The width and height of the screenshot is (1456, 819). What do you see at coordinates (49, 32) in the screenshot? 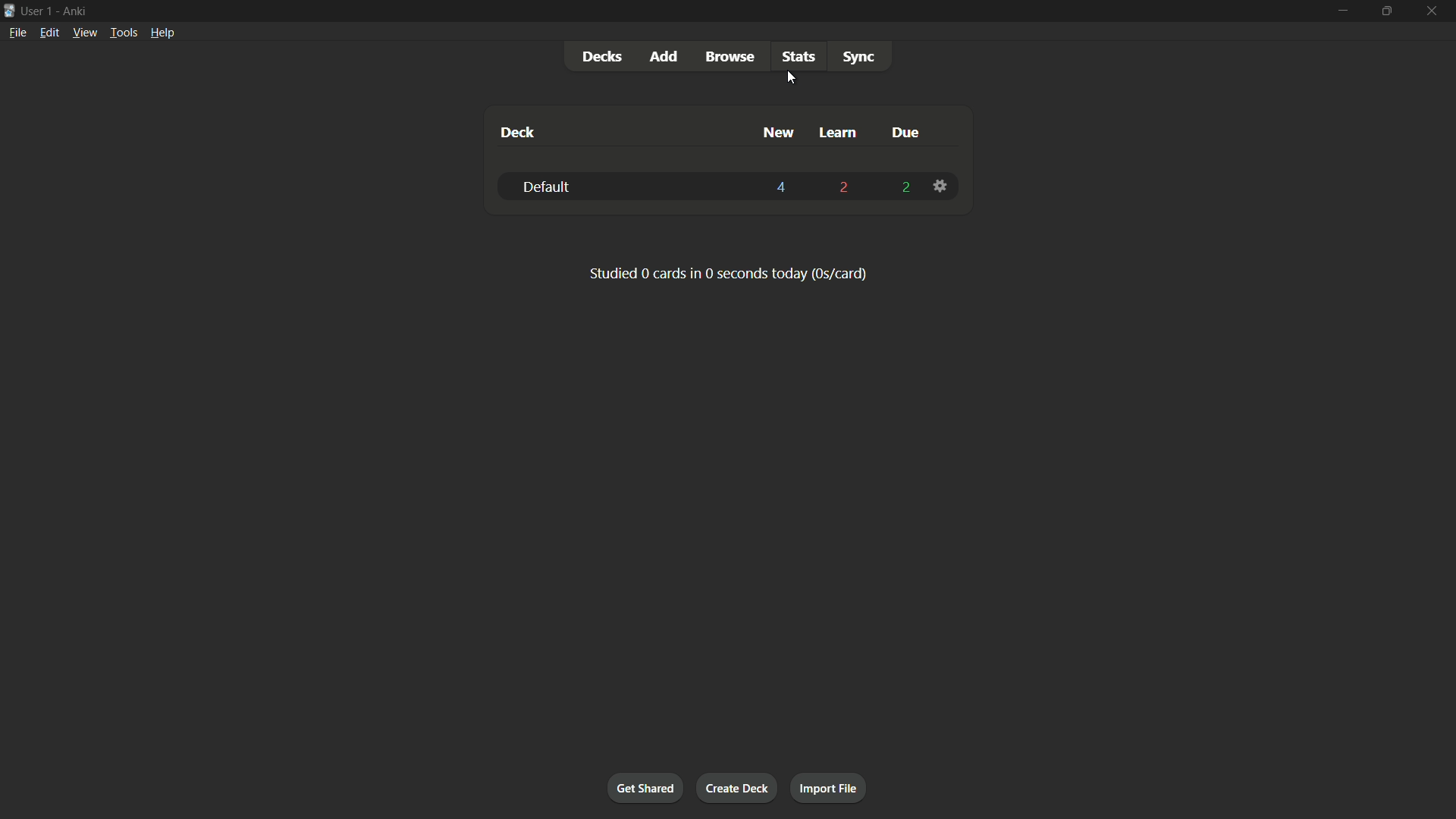
I see `edit menu` at bounding box center [49, 32].